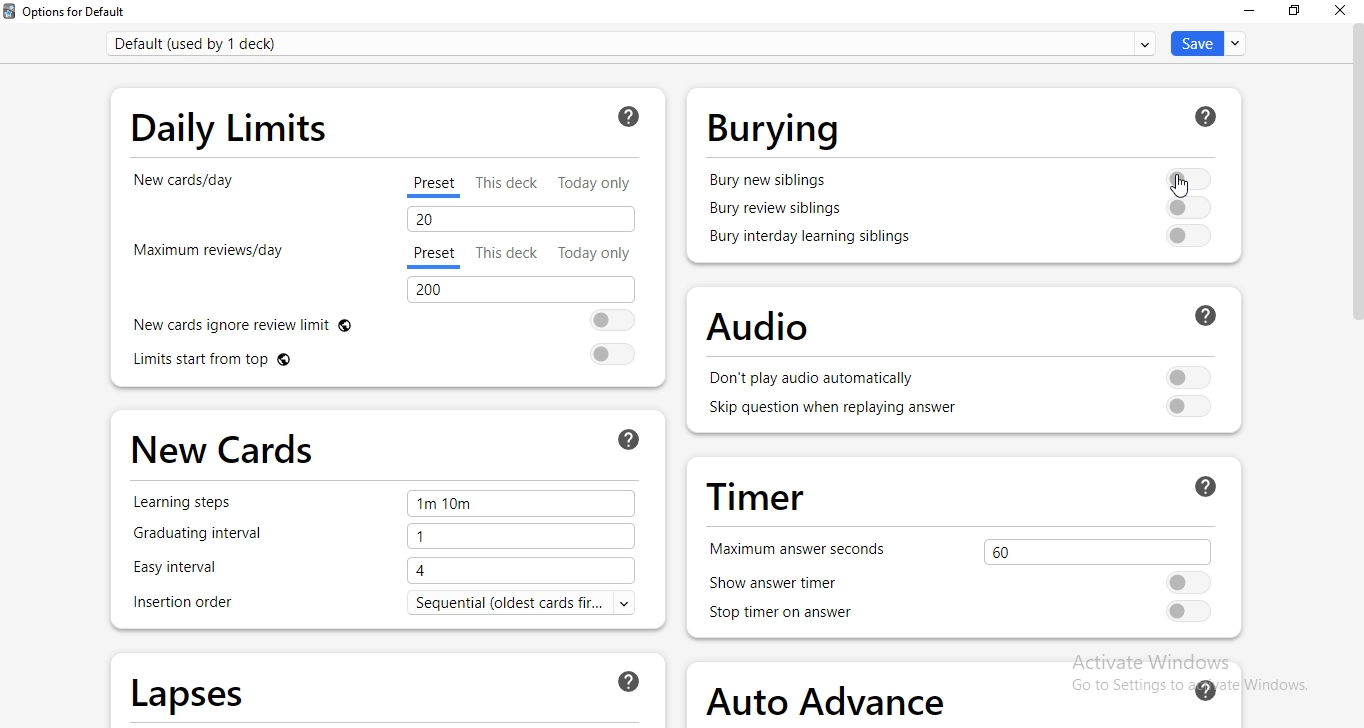 This screenshot has height=728, width=1364. I want to click on Toggle, so click(1184, 176).